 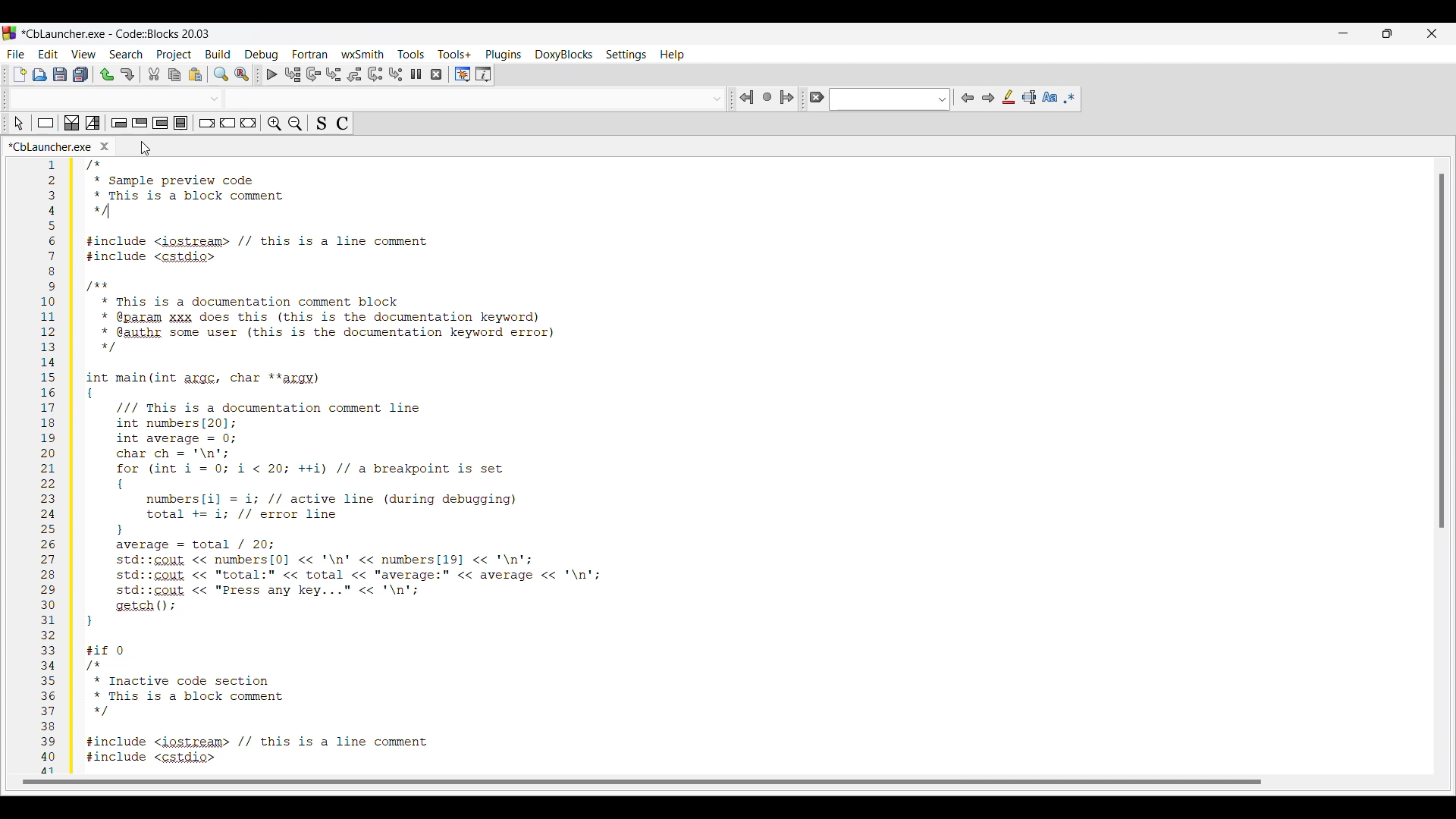 I want to click on Selection, so click(x=93, y=122).